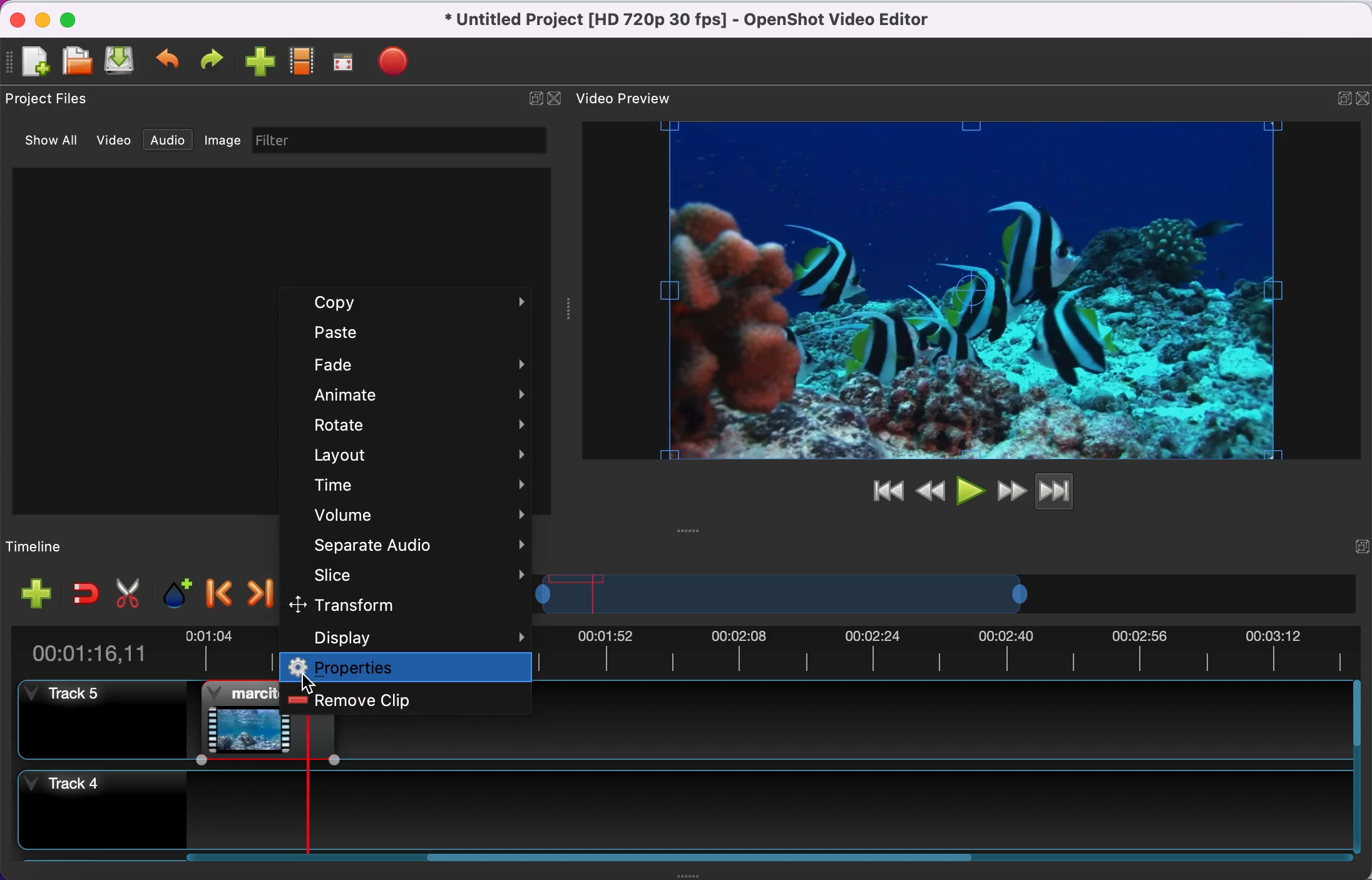 The image size is (1372, 880). Describe the element at coordinates (707, 22) in the screenshot. I see `title - Untitled Project (HD 720p 30 fps)-OpenShot Video Editor` at that location.